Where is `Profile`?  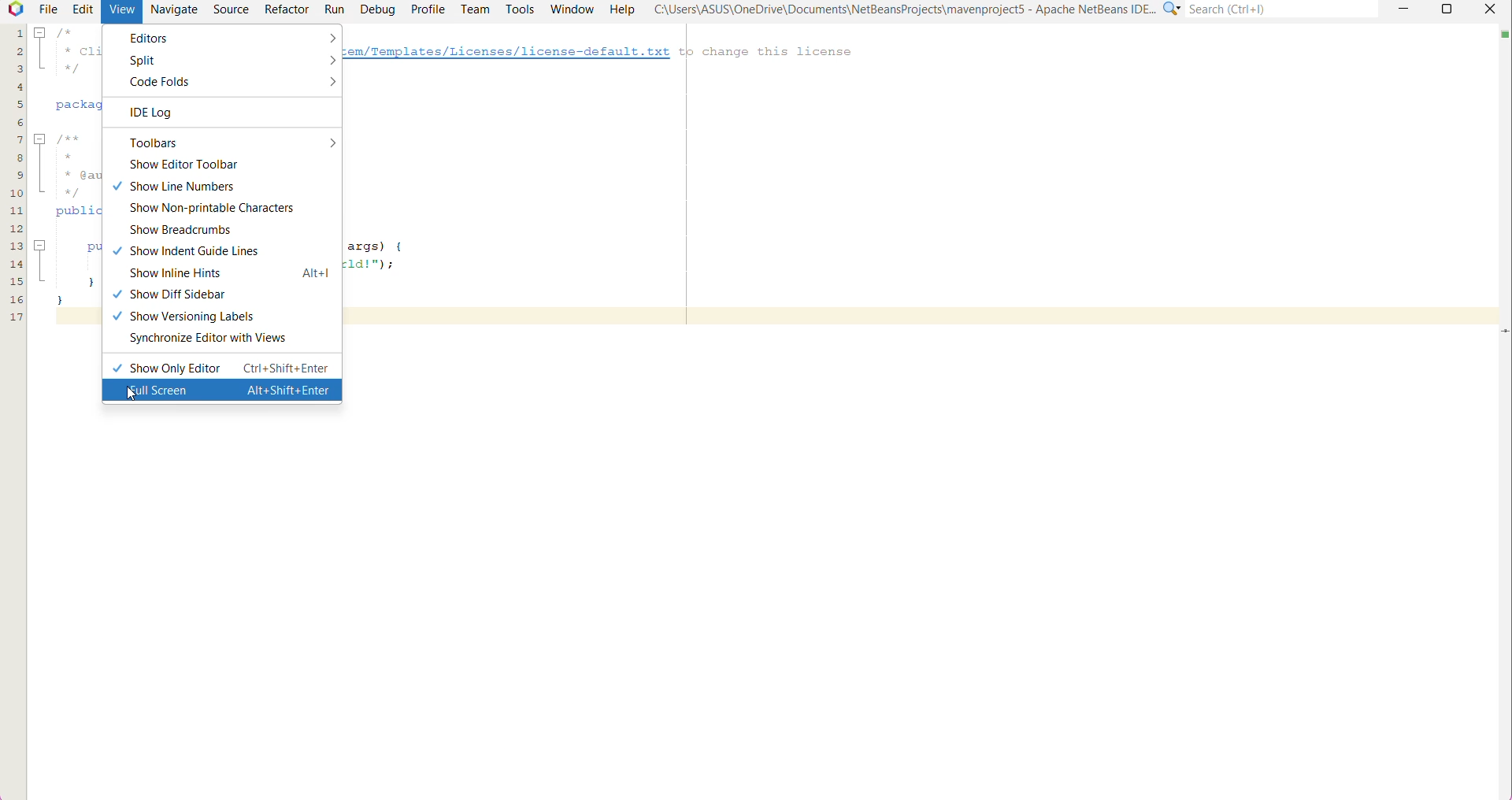 Profile is located at coordinates (428, 9).